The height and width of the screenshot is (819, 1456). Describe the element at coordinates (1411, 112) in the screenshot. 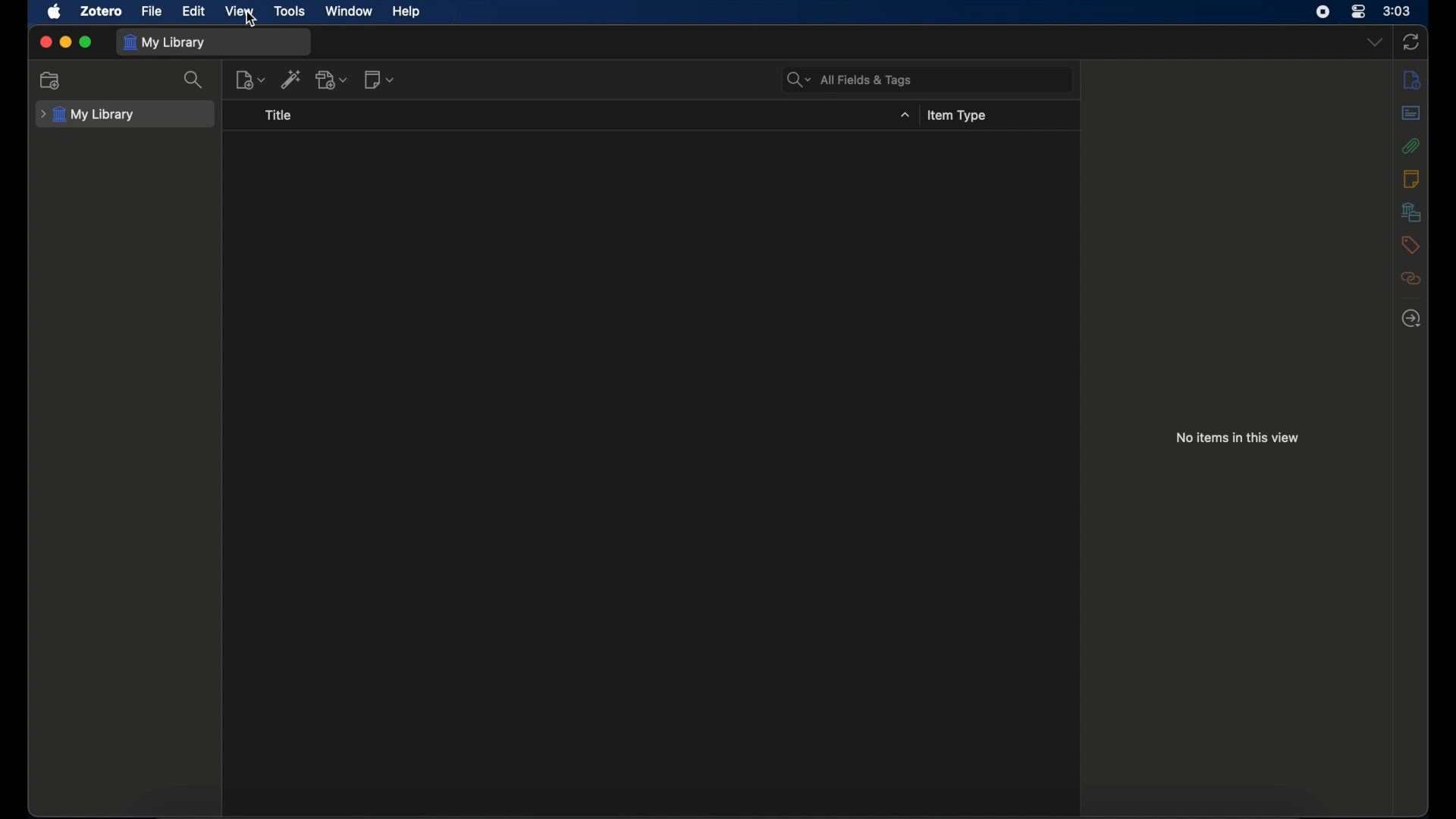

I see `abstract` at that location.